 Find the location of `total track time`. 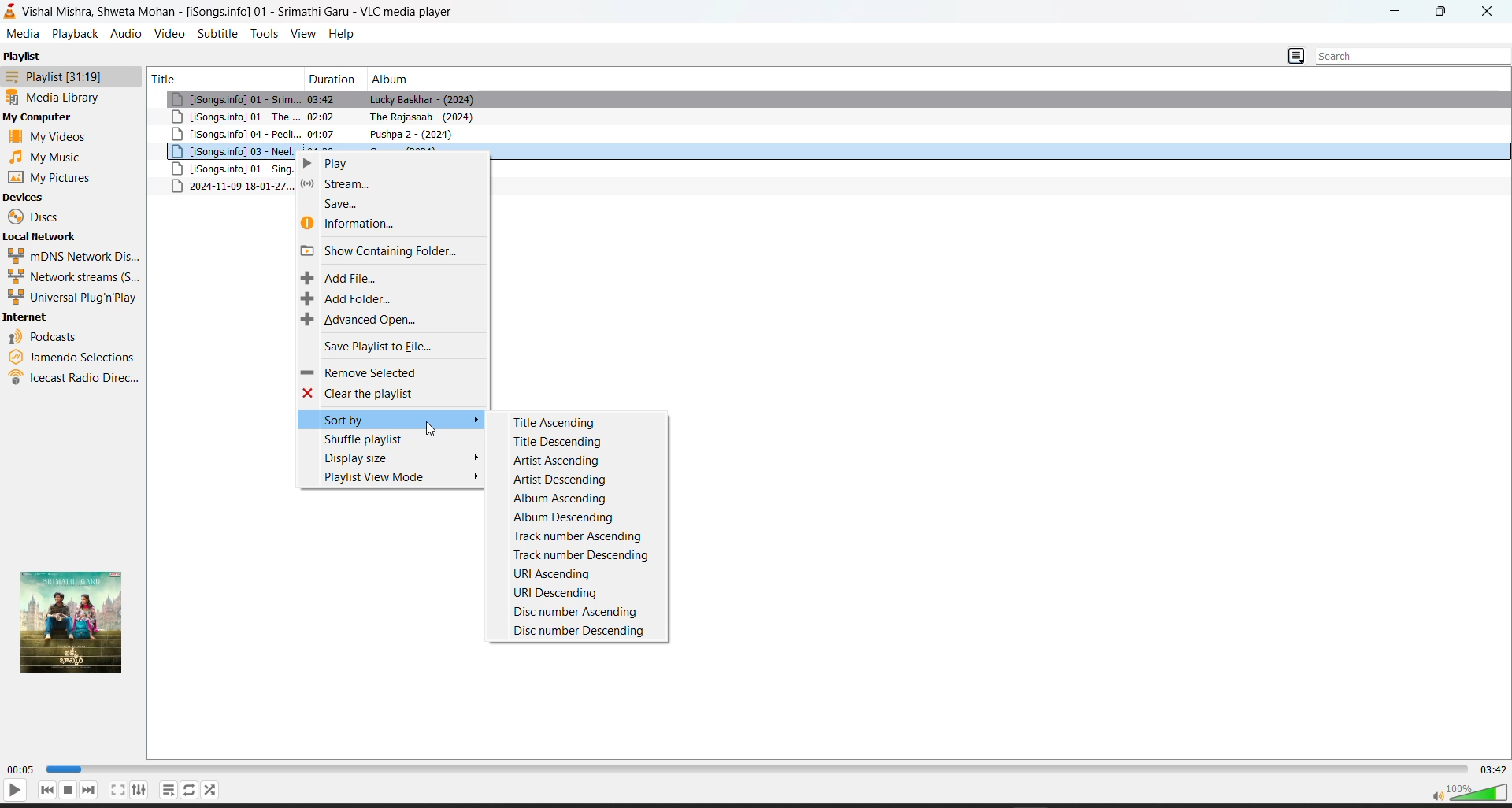

total track time is located at coordinates (1492, 769).